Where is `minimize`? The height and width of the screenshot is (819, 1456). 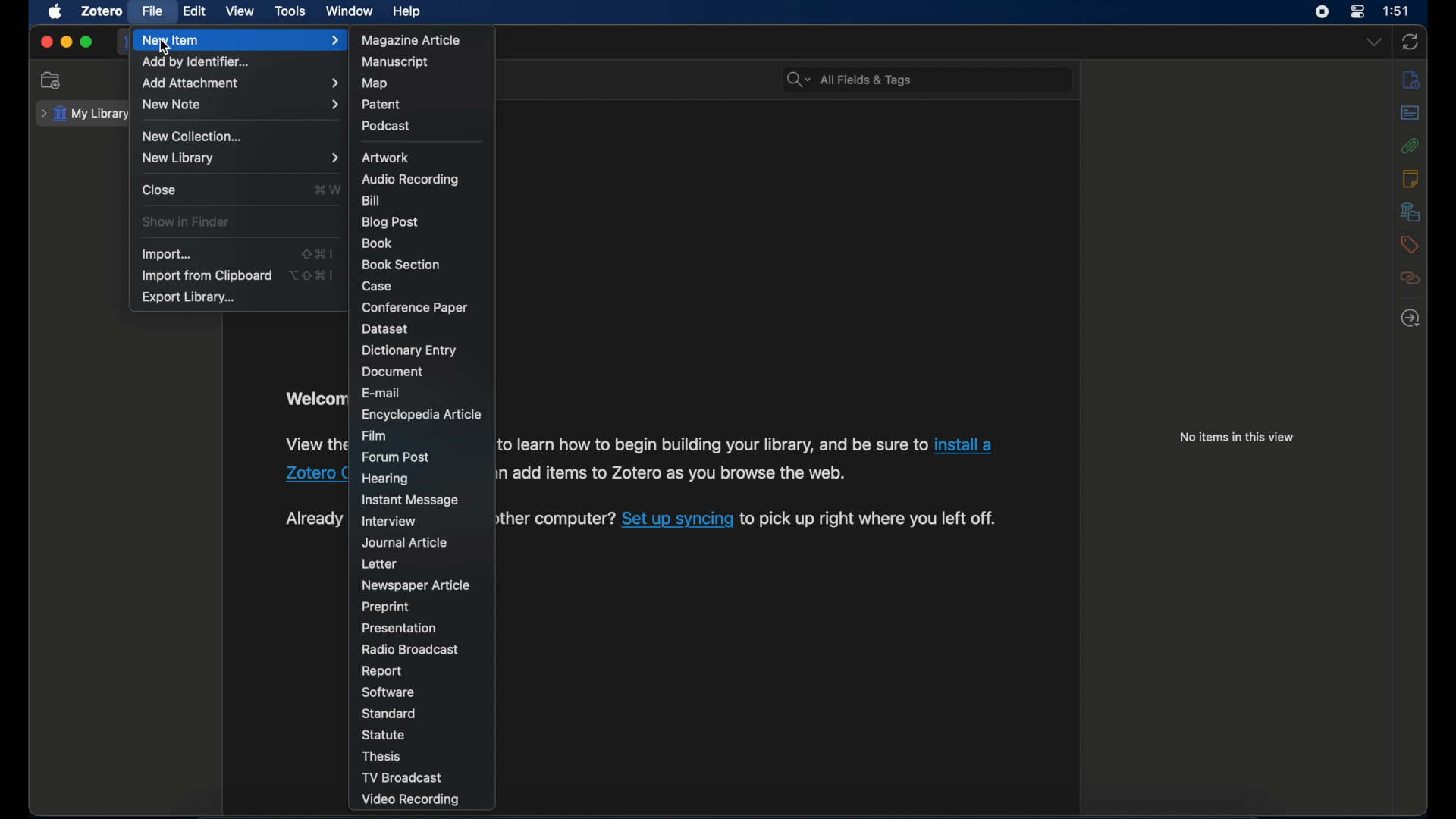 minimize is located at coordinates (65, 42).